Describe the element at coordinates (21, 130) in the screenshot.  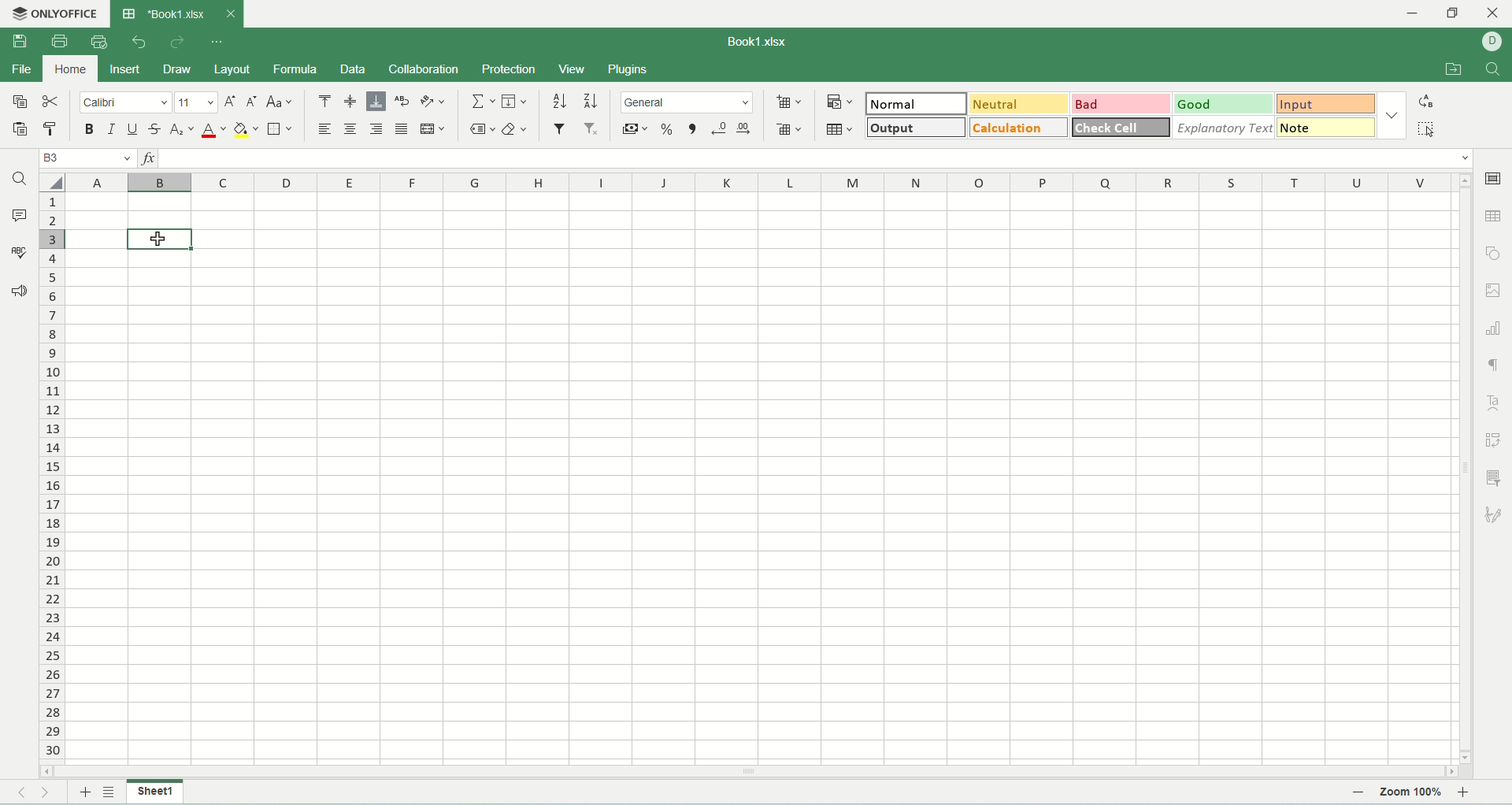
I see `paste` at that location.